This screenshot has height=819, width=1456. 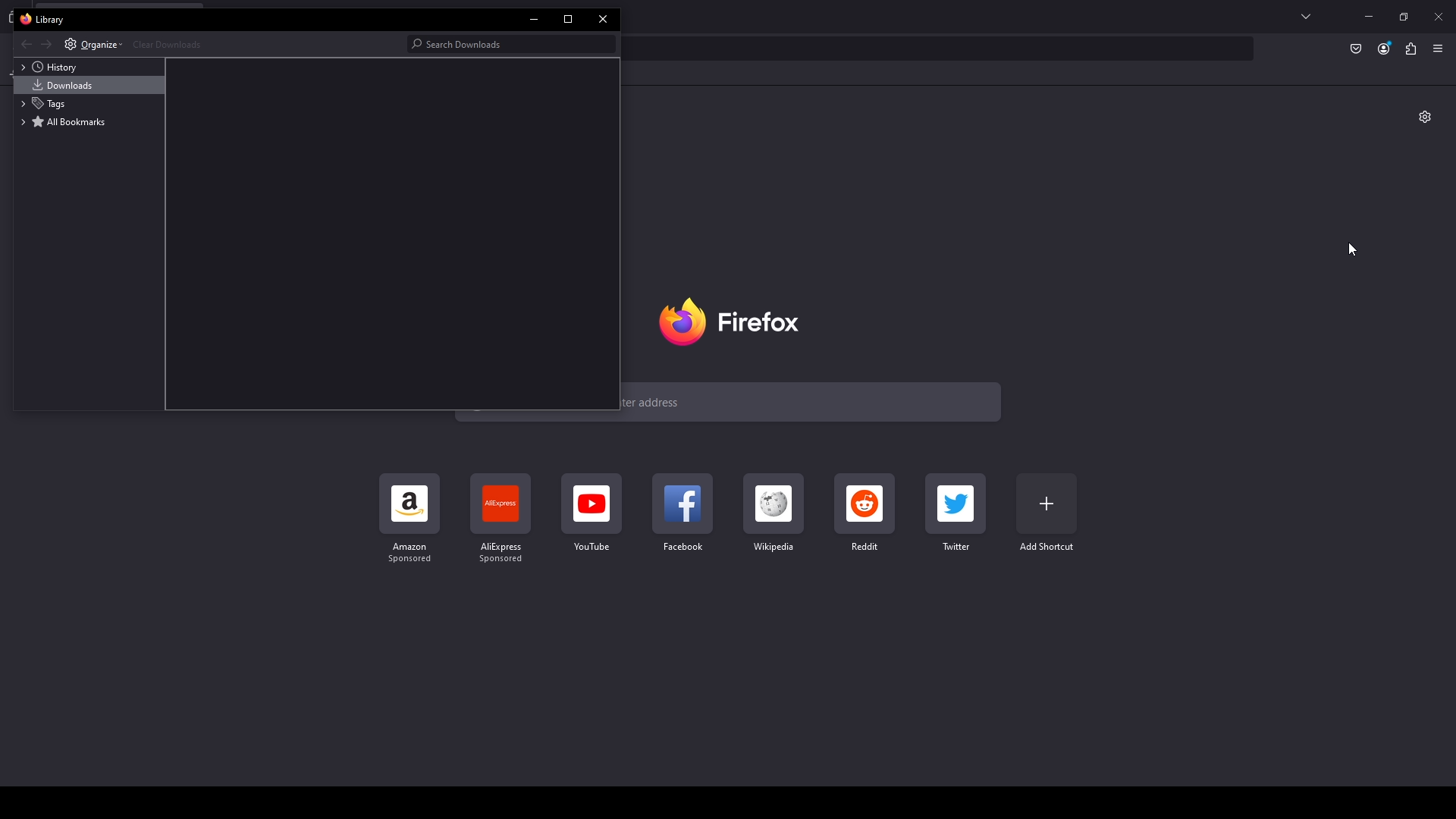 What do you see at coordinates (412, 519) in the screenshot?
I see `Amazon sponsored` at bounding box center [412, 519].